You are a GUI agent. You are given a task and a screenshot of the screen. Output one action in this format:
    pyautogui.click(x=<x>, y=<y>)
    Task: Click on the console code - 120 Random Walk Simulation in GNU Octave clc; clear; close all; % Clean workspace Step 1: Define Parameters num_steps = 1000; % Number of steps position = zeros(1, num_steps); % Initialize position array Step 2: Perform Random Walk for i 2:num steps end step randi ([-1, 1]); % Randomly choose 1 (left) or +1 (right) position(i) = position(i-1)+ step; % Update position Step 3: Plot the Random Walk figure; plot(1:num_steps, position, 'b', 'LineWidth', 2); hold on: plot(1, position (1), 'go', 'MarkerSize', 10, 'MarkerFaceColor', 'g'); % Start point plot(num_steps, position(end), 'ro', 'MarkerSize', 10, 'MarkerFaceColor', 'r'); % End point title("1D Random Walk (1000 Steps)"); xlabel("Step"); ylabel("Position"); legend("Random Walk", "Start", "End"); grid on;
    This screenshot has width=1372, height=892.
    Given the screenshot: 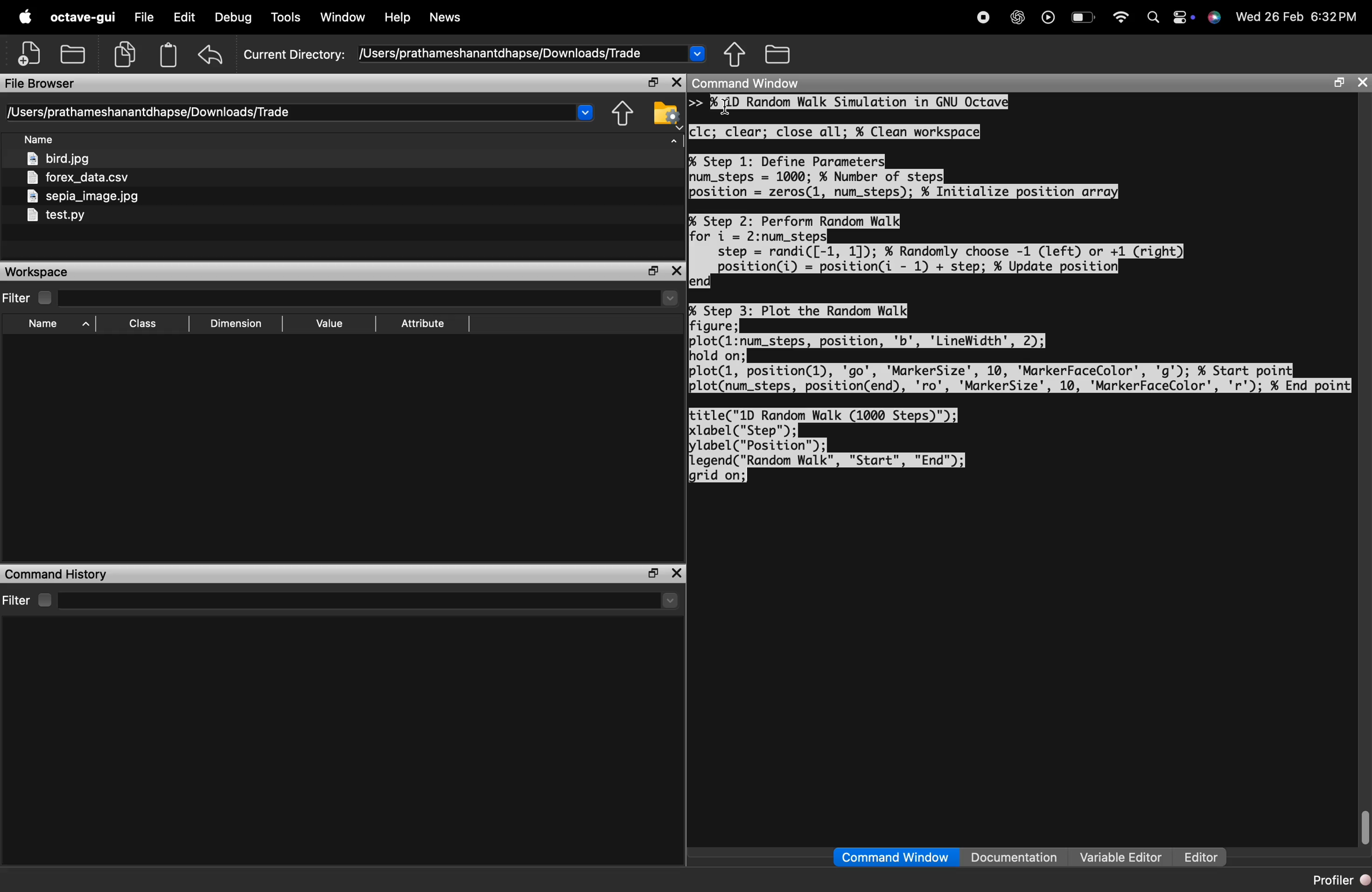 What is the action you would take?
    pyautogui.click(x=1022, y=291)
    